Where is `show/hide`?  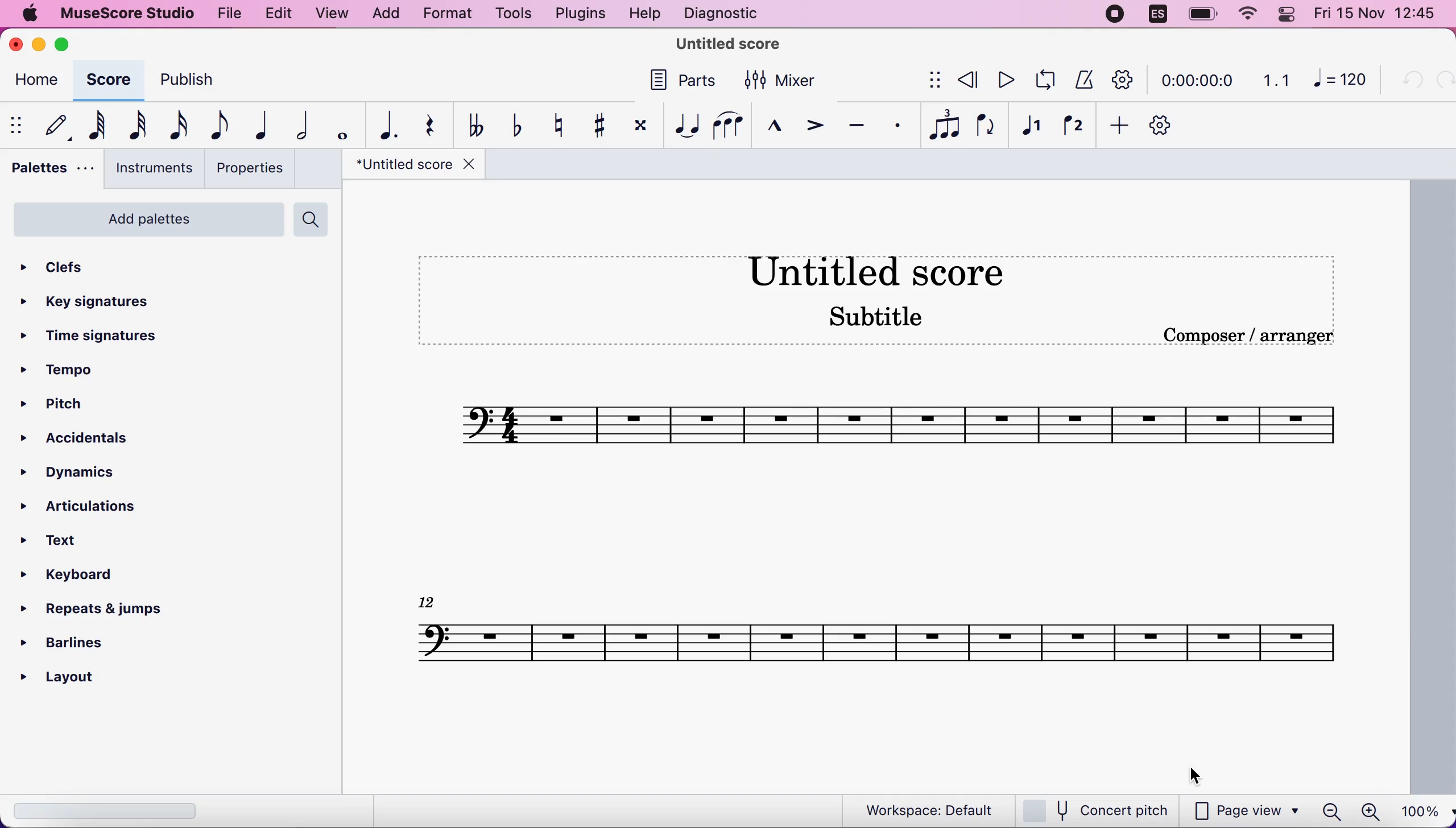 show/hide is located at coordinates (926, 81).